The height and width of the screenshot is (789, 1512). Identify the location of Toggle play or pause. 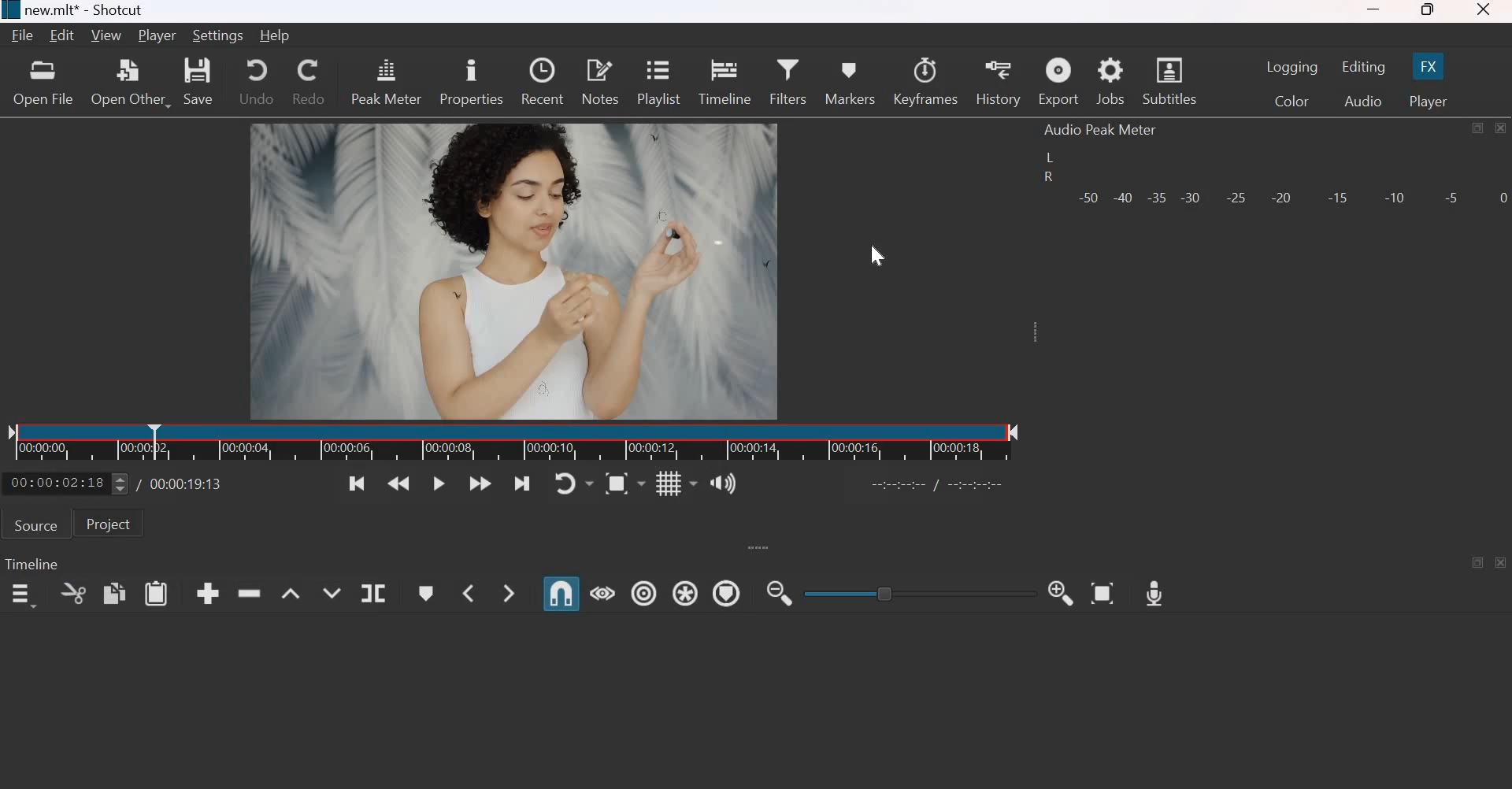
(441, 483).